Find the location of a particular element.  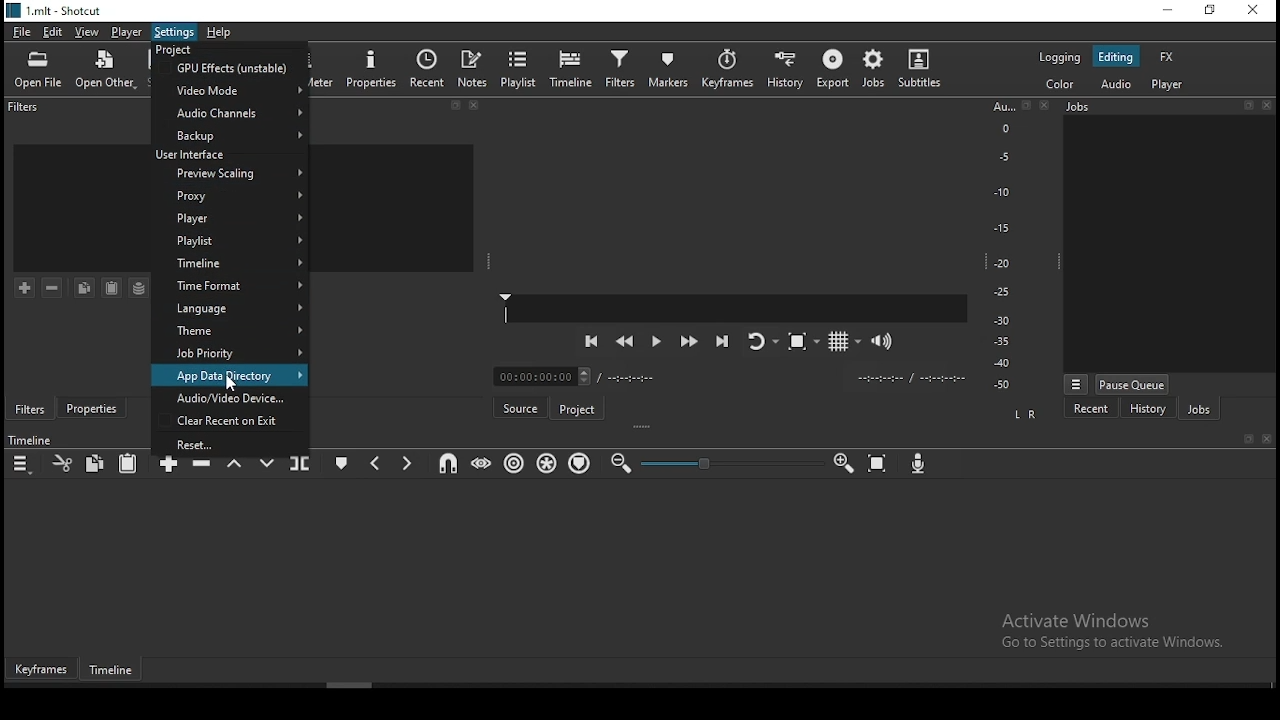

recent is located at coordinates (1091, 408).